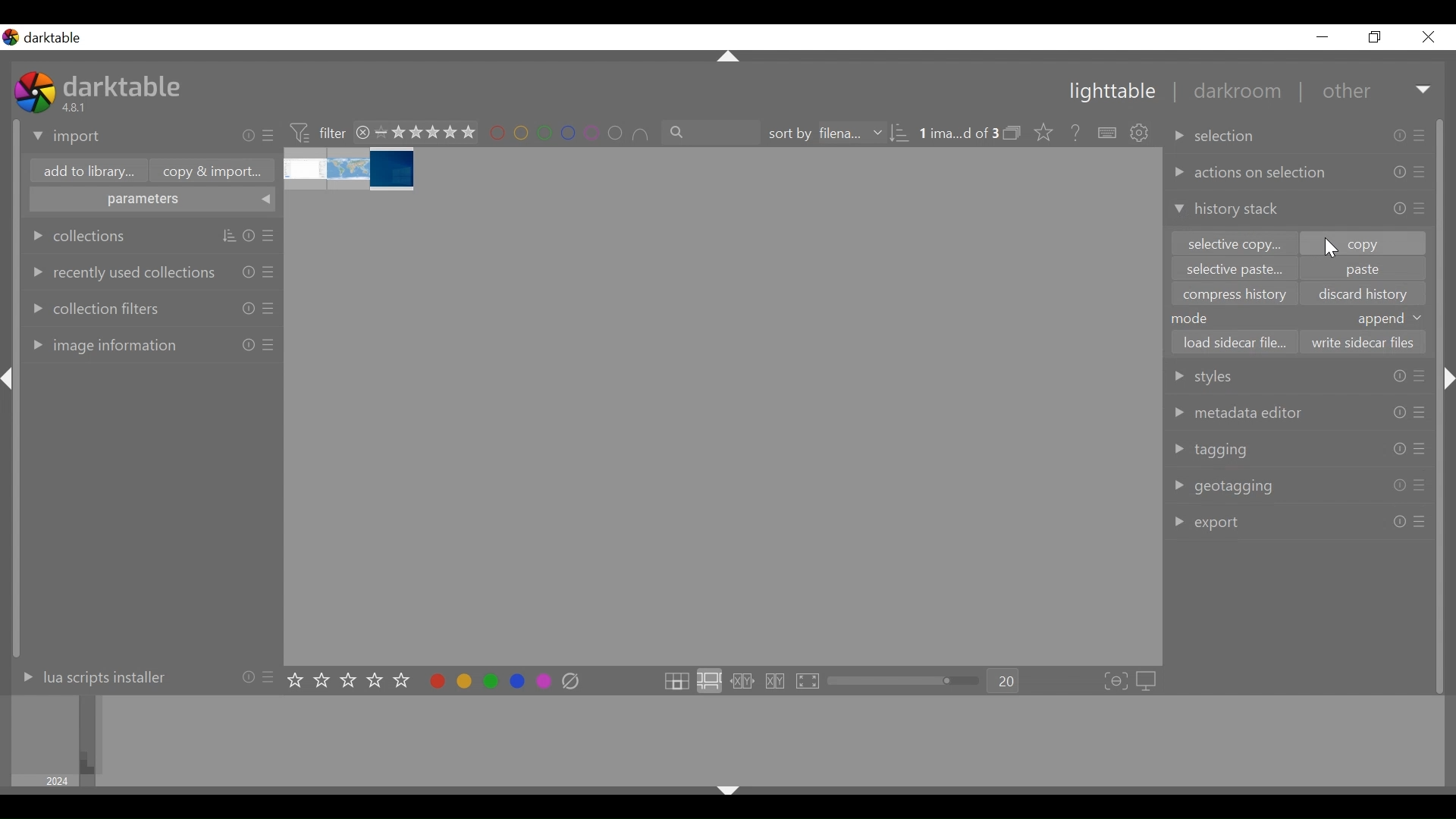 The width and height of the screenshot is (1456, 819). What do you see at coordinates (153, 201) in the screenshot?
I see `parameters` at bounding box center [153, 201].